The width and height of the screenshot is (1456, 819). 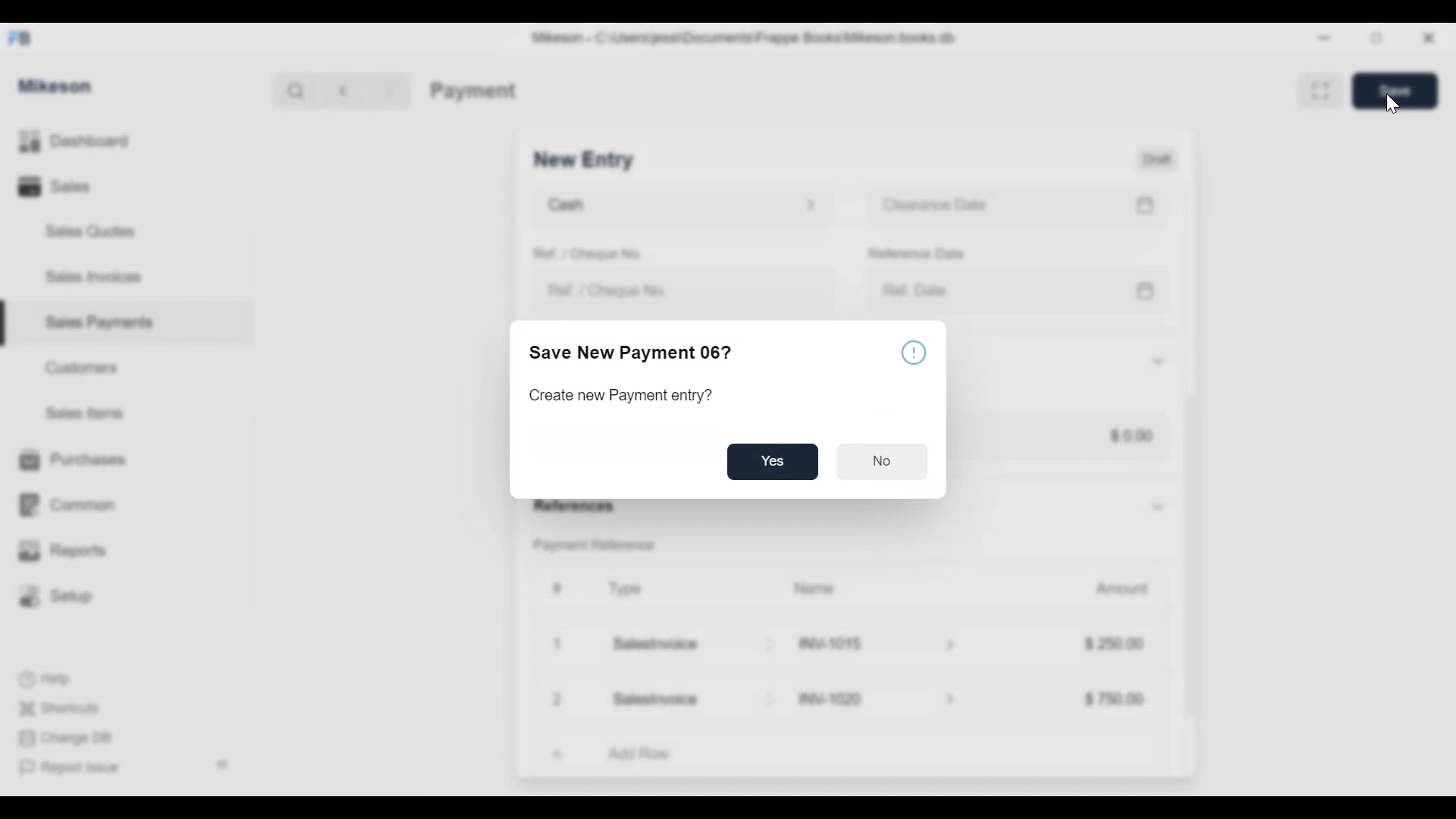 What do you see at coordinates (83, 231) in the screenshot?
I see `Sales Quotes` at bounding box center [83, 231].